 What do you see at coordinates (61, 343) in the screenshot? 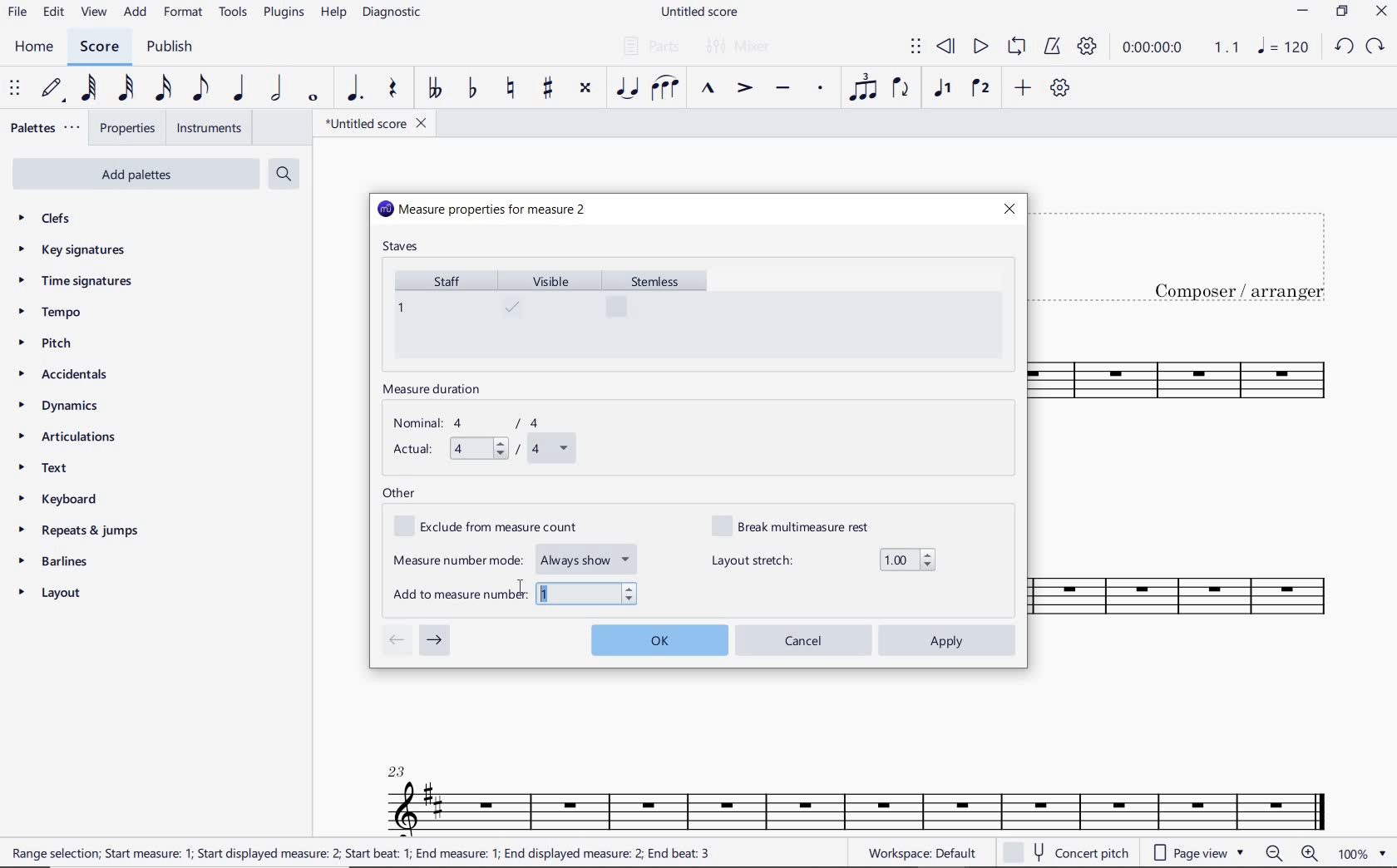
I see `PITCH` at bounding box center [61, 343].